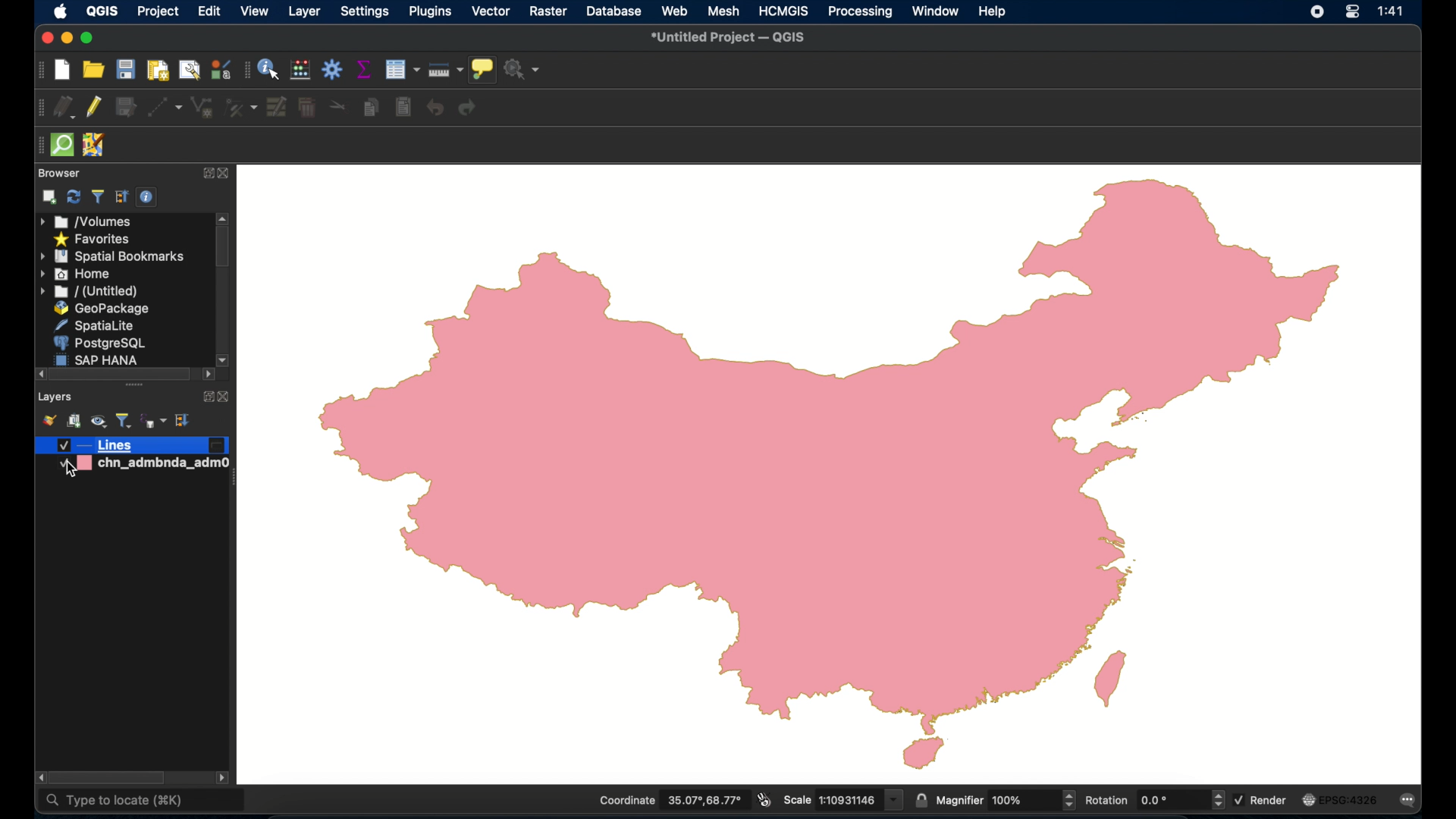 The image size is (1456, 819). Describe the element at coordinates (158, 13) in the screenshot. I see `project` at that location.